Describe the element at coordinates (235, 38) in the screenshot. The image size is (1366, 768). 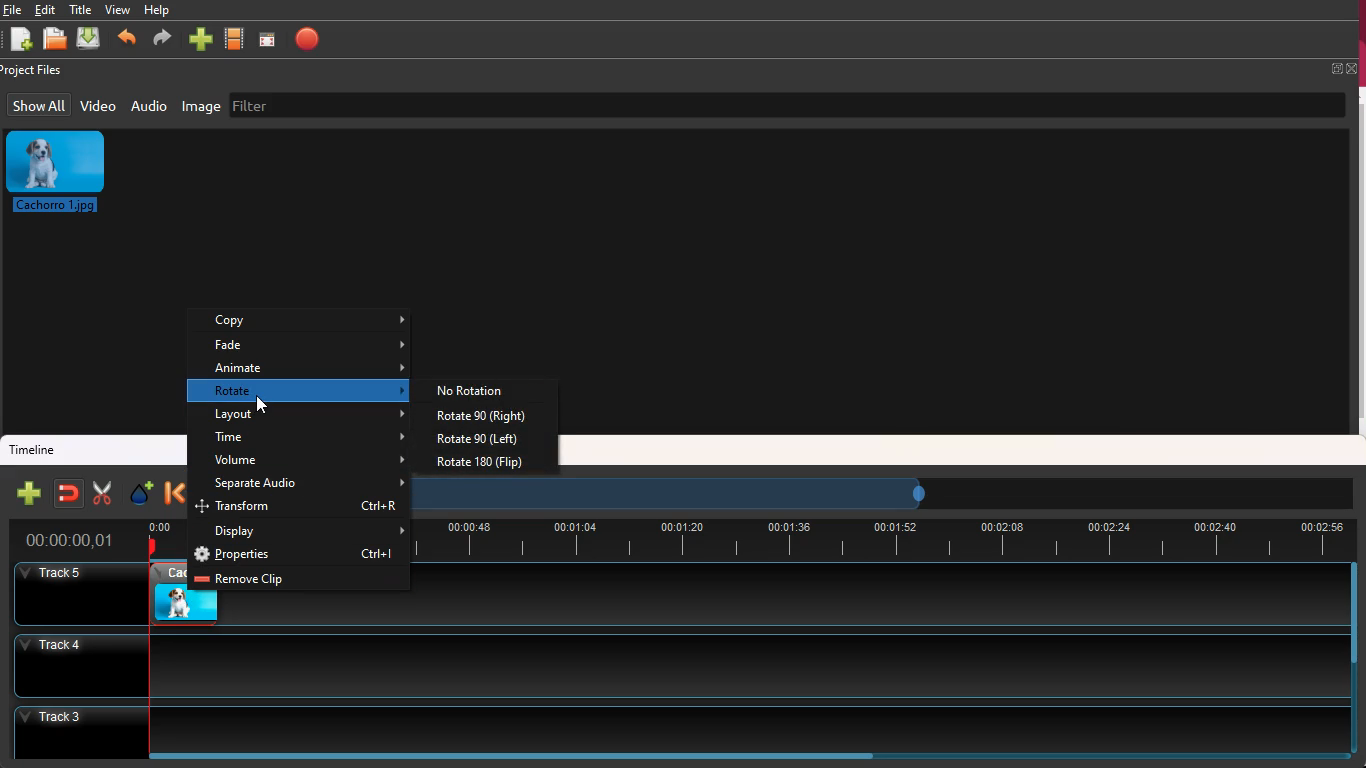
I see `movie` at that location.